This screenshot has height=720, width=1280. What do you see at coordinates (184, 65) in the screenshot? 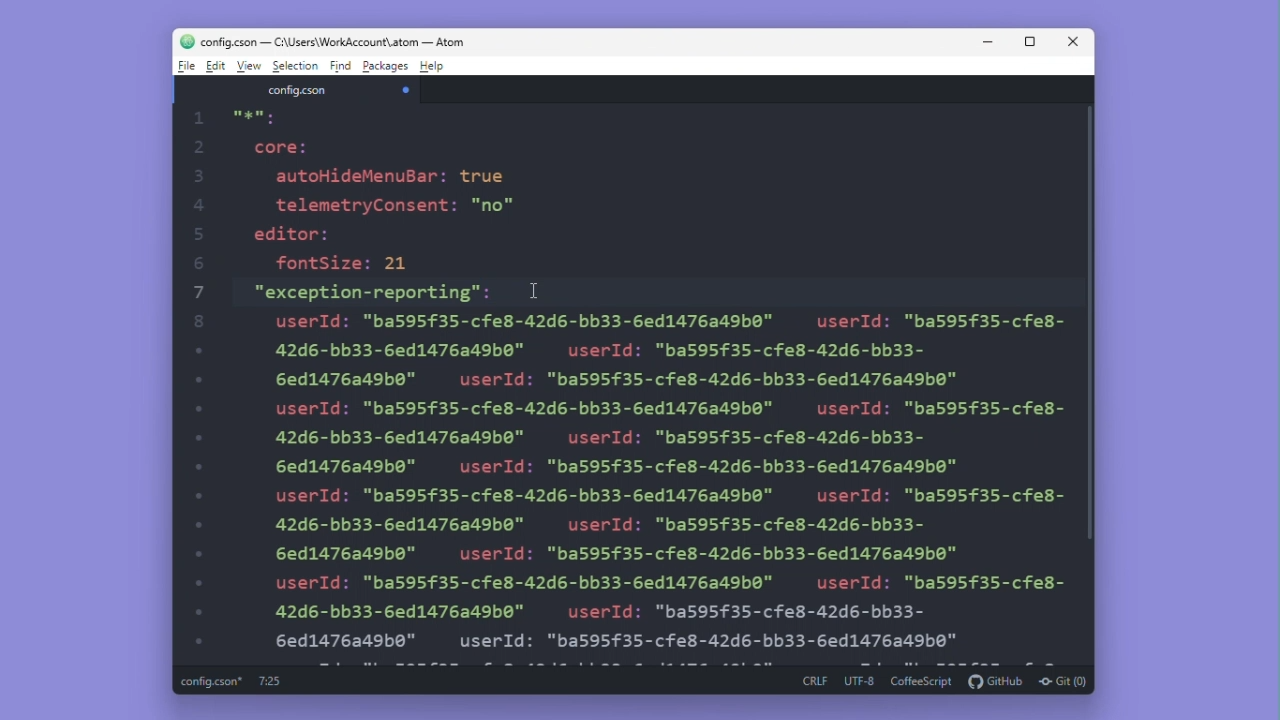
I see `File` at bounding box center [184, 65].